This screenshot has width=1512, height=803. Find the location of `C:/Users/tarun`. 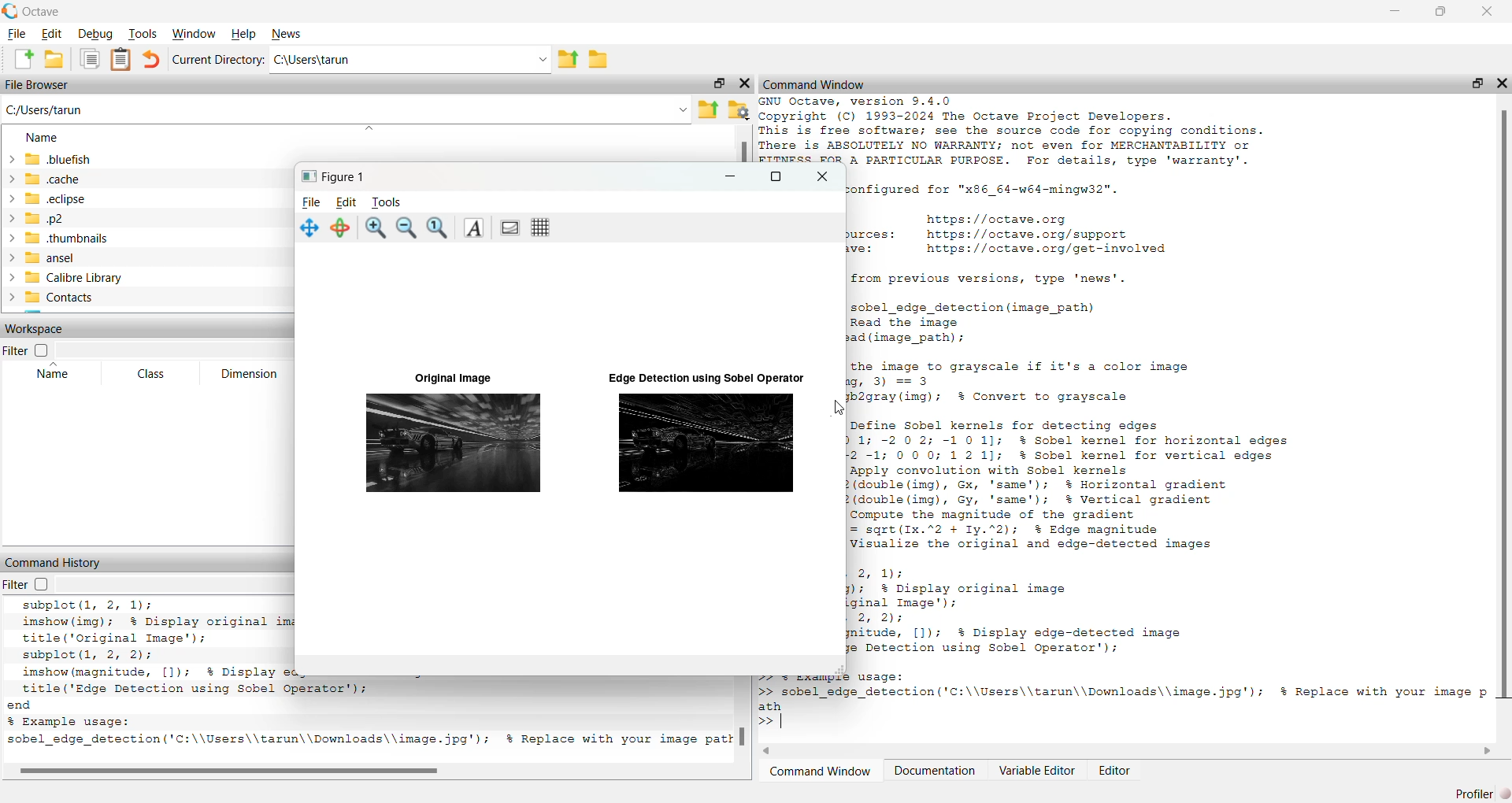

C:/Users/tarun is located at coordinates (347, 112).